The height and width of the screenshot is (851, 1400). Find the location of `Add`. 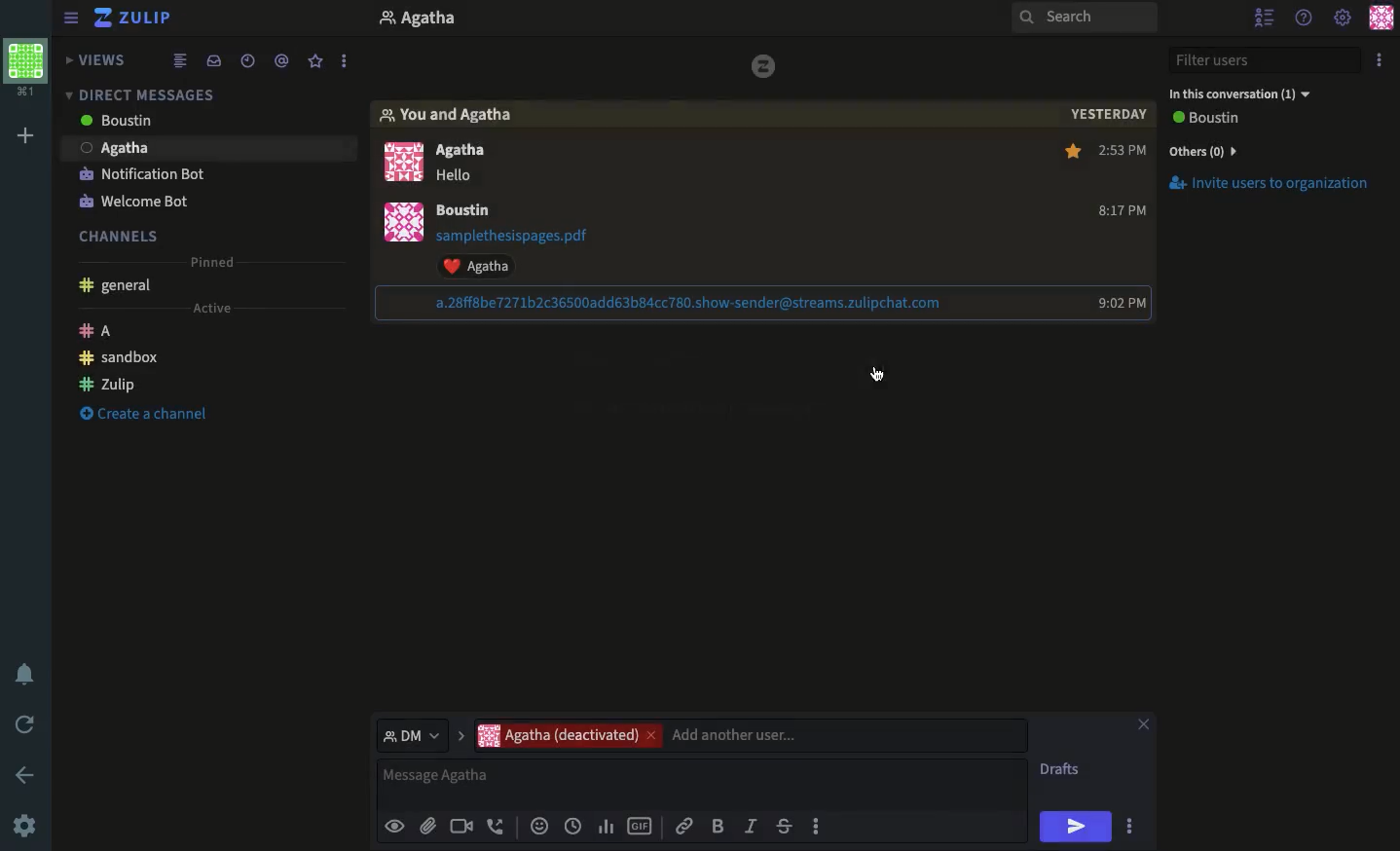

Add is located at coordinates (25, 138).